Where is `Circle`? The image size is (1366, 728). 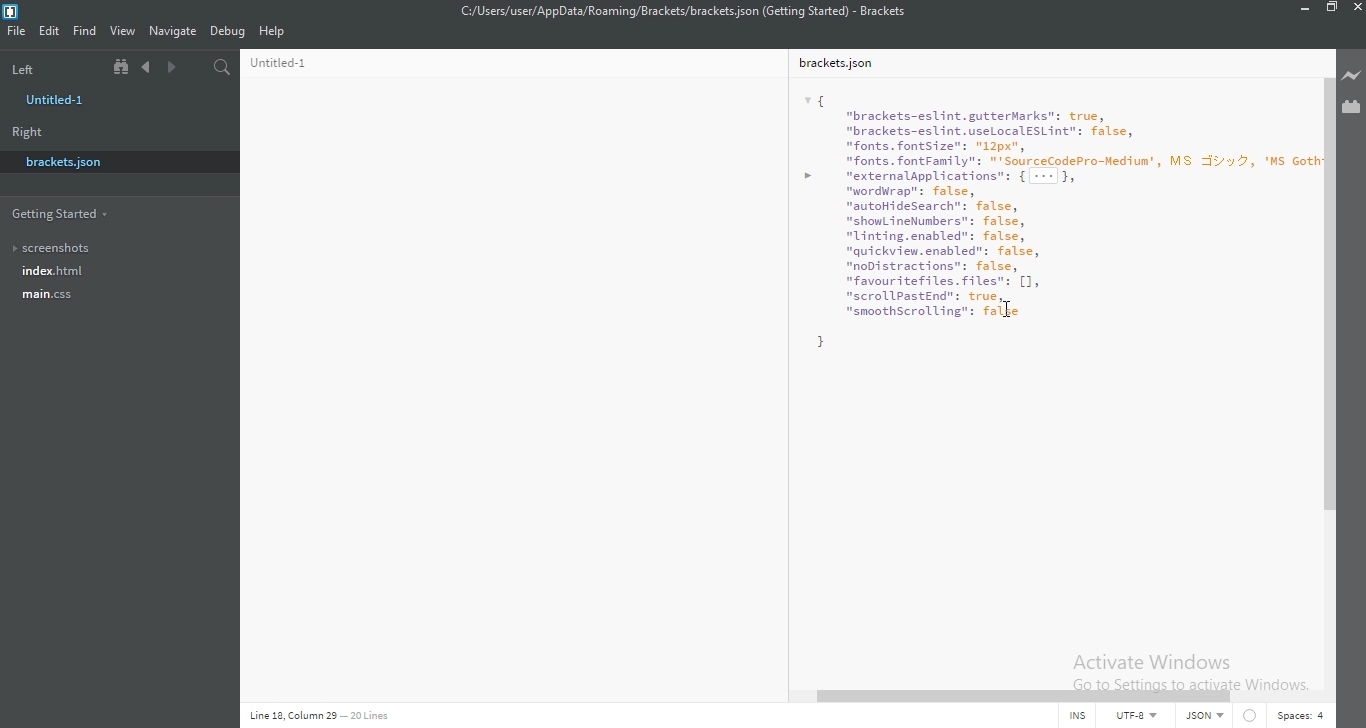 Circle is located at coordinates (1257, 718).